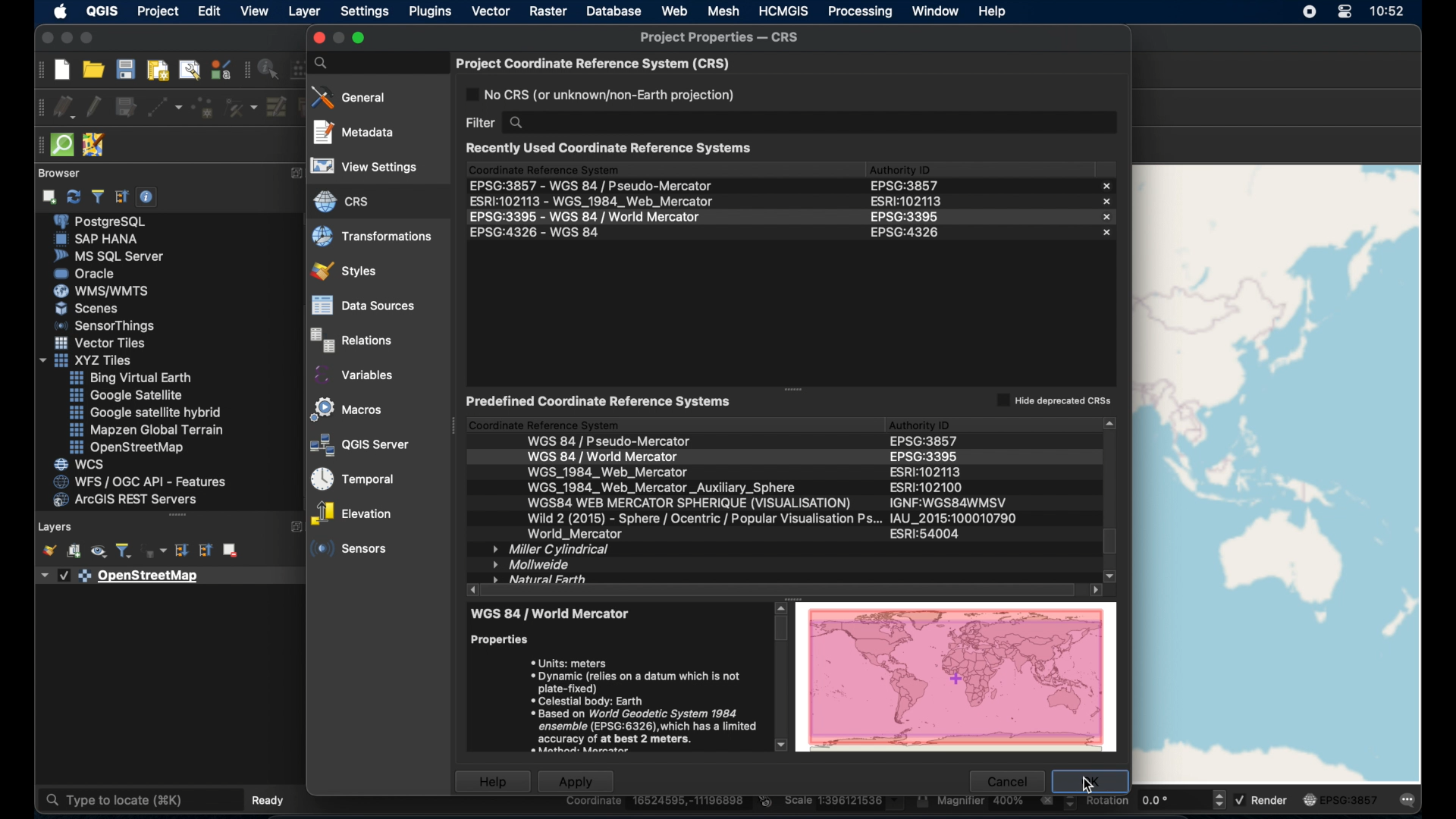 The width and height of the screenshot is (1456, 819). What do you see at coordinates (1088, 780) in the screenshot?
I see `OK` at bounding box center [1088, 780].